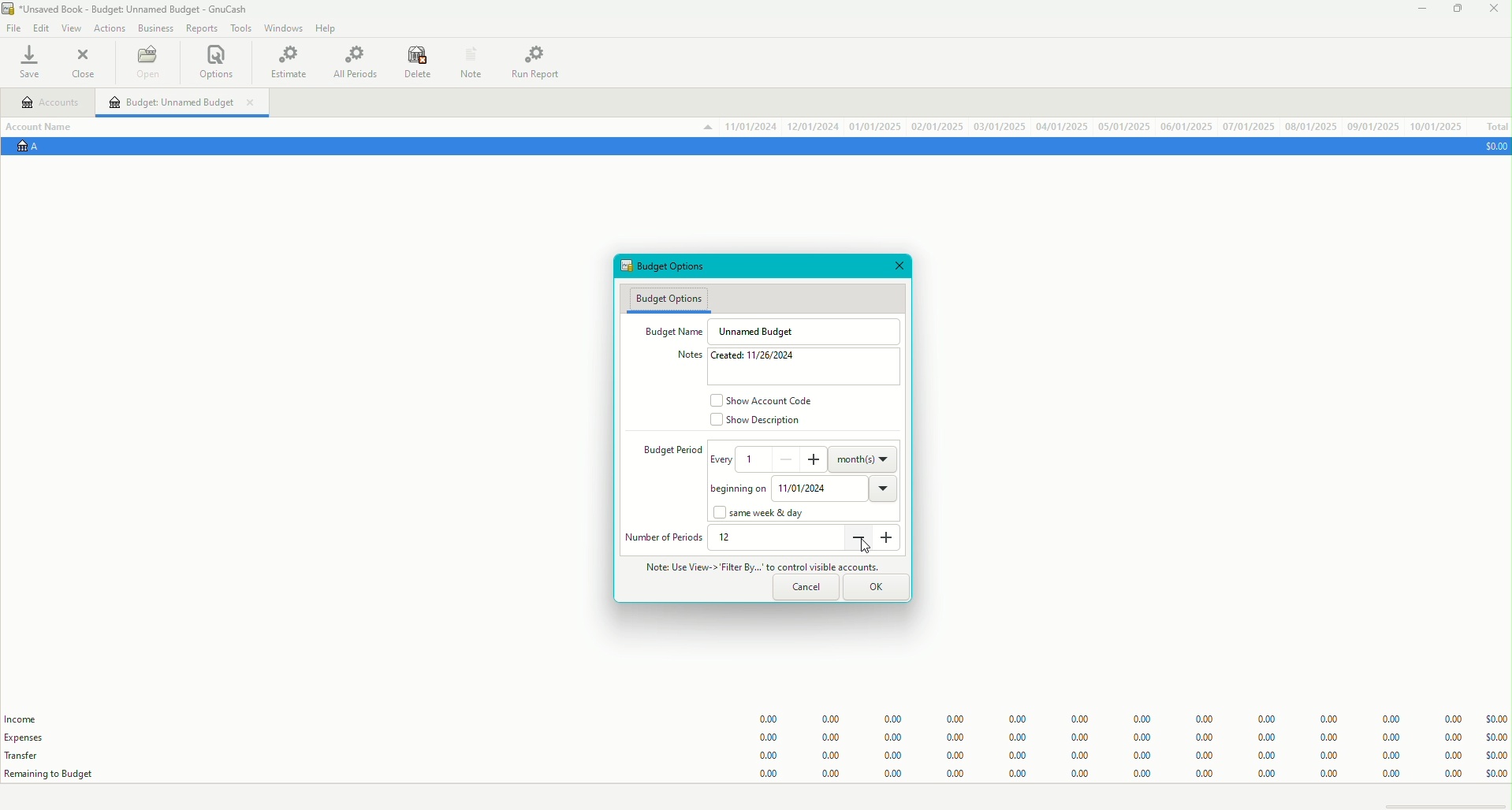  I want to click on Budget Options, so click(673, 267).